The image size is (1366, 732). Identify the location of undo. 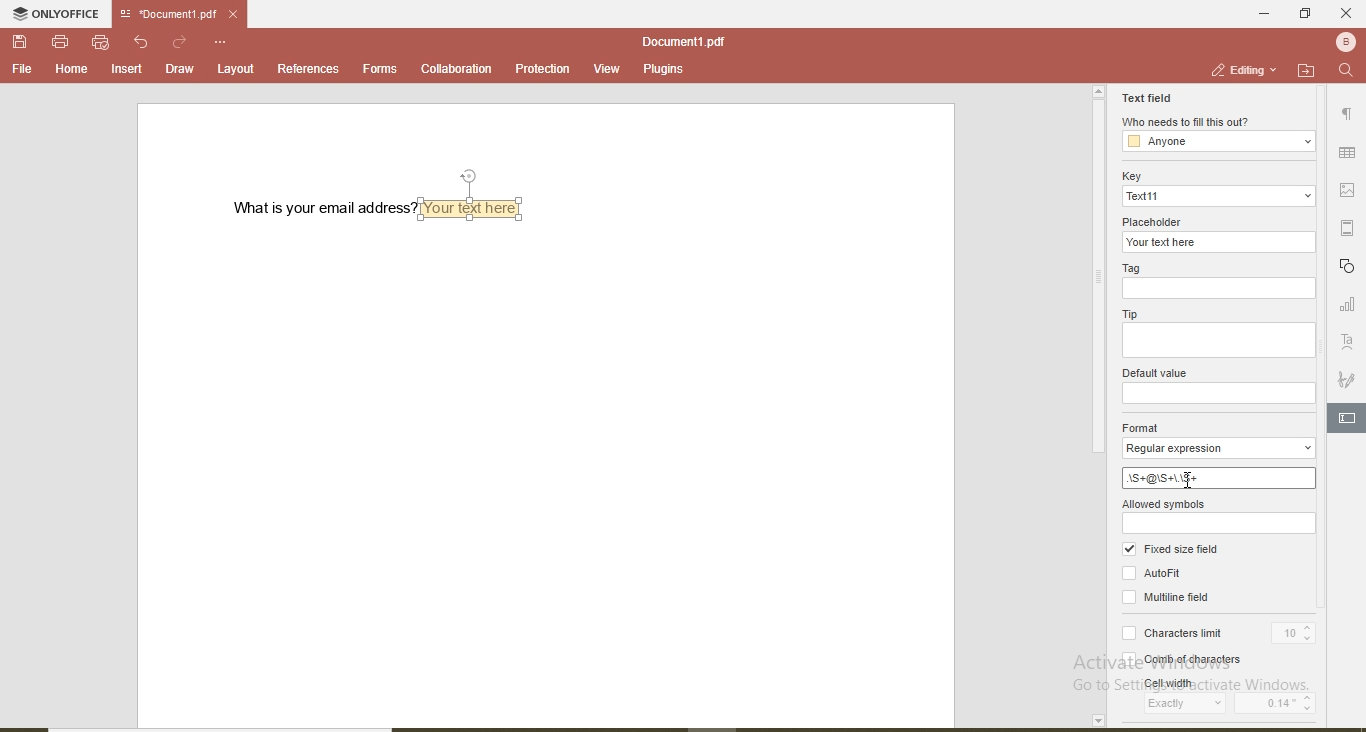
(144, 42).